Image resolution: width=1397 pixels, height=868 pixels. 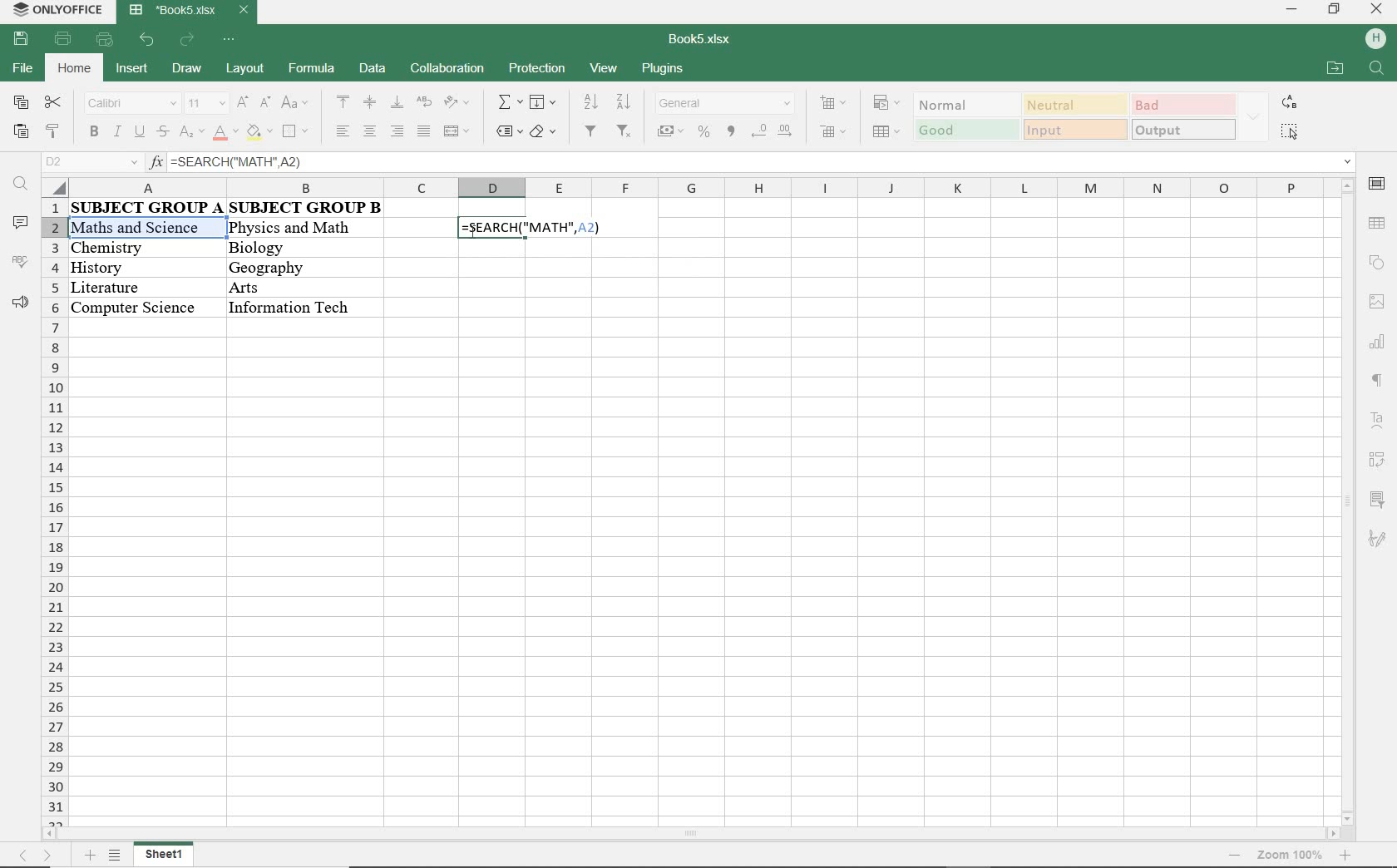 I want to click on select all, so click(x=1290, y=131).